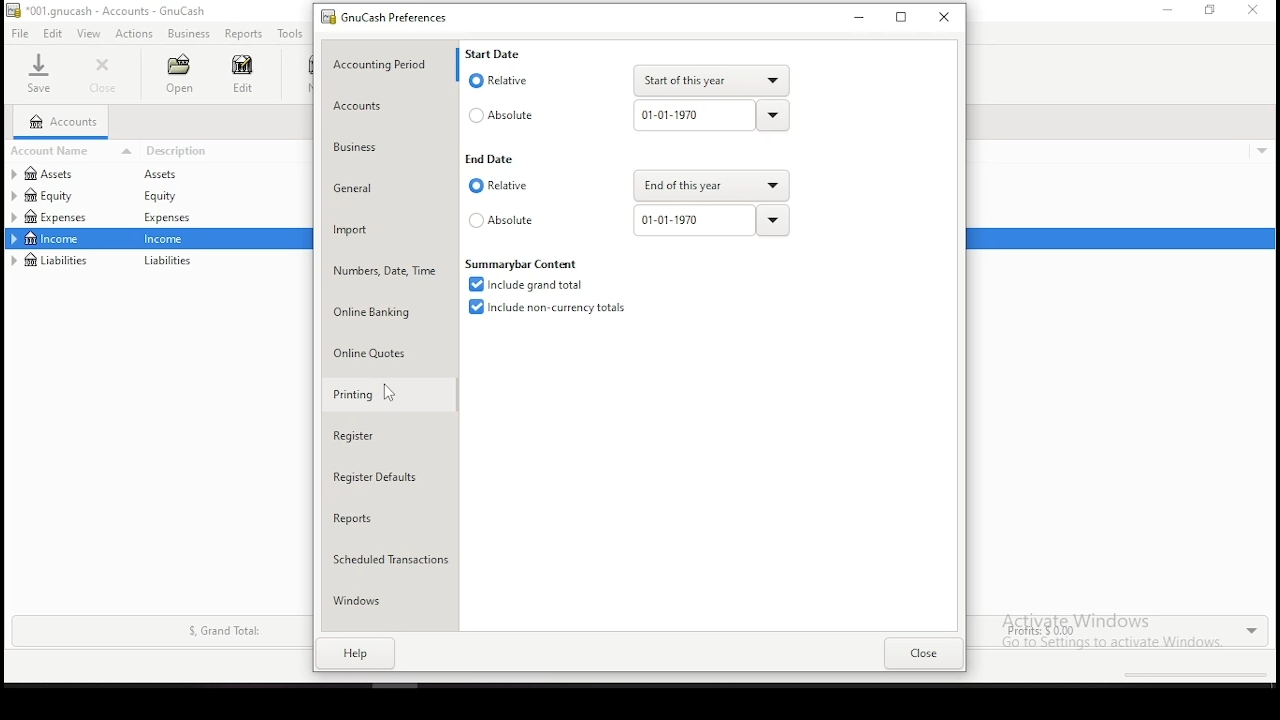 Image resolution: width=1280 pixels, height=720 pixels. What do you see at coordinates (856, 18) in the screenshot?
I see `minimize` at bounding box center [856, 18].